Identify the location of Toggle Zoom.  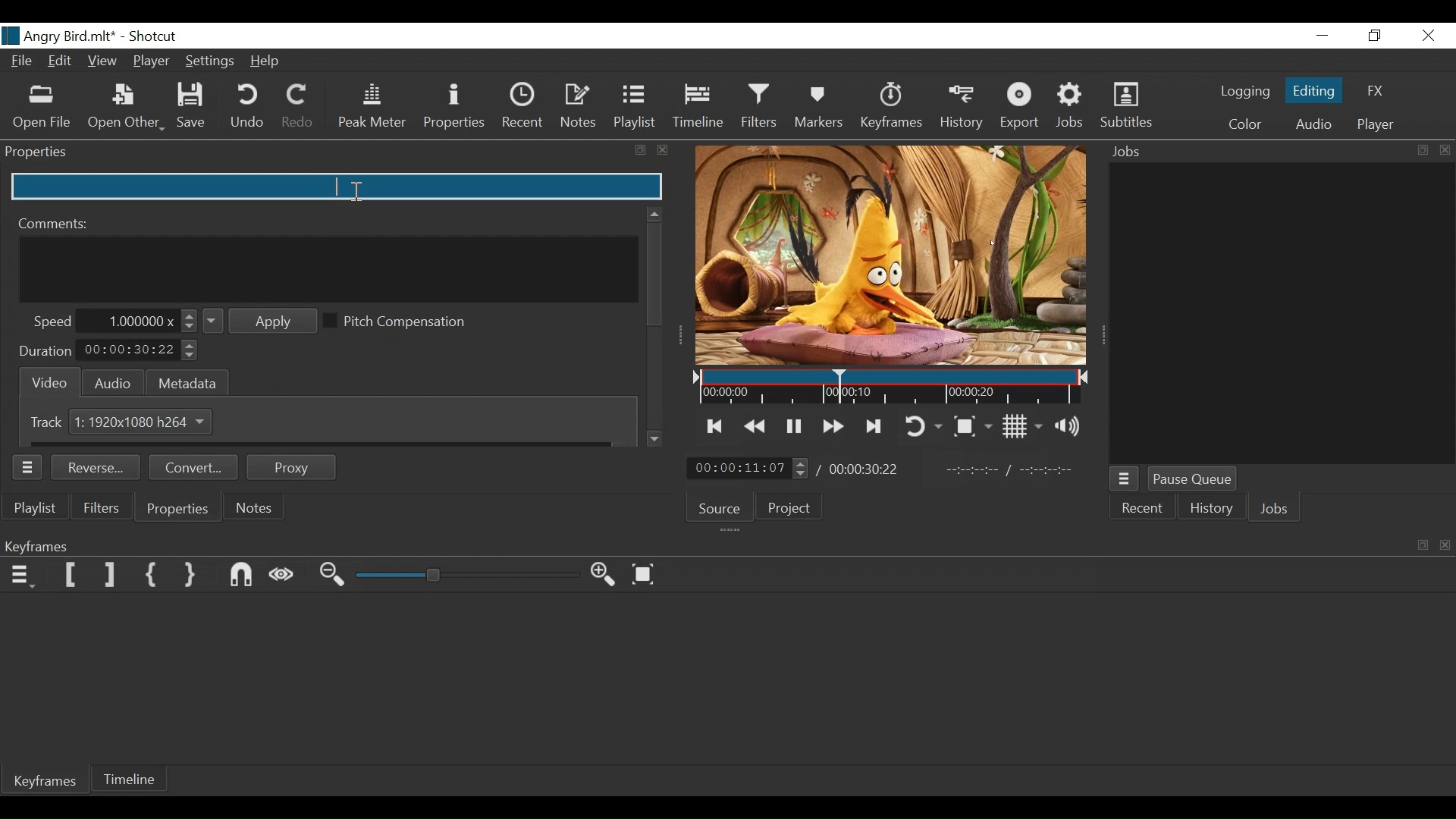
(975, 425).